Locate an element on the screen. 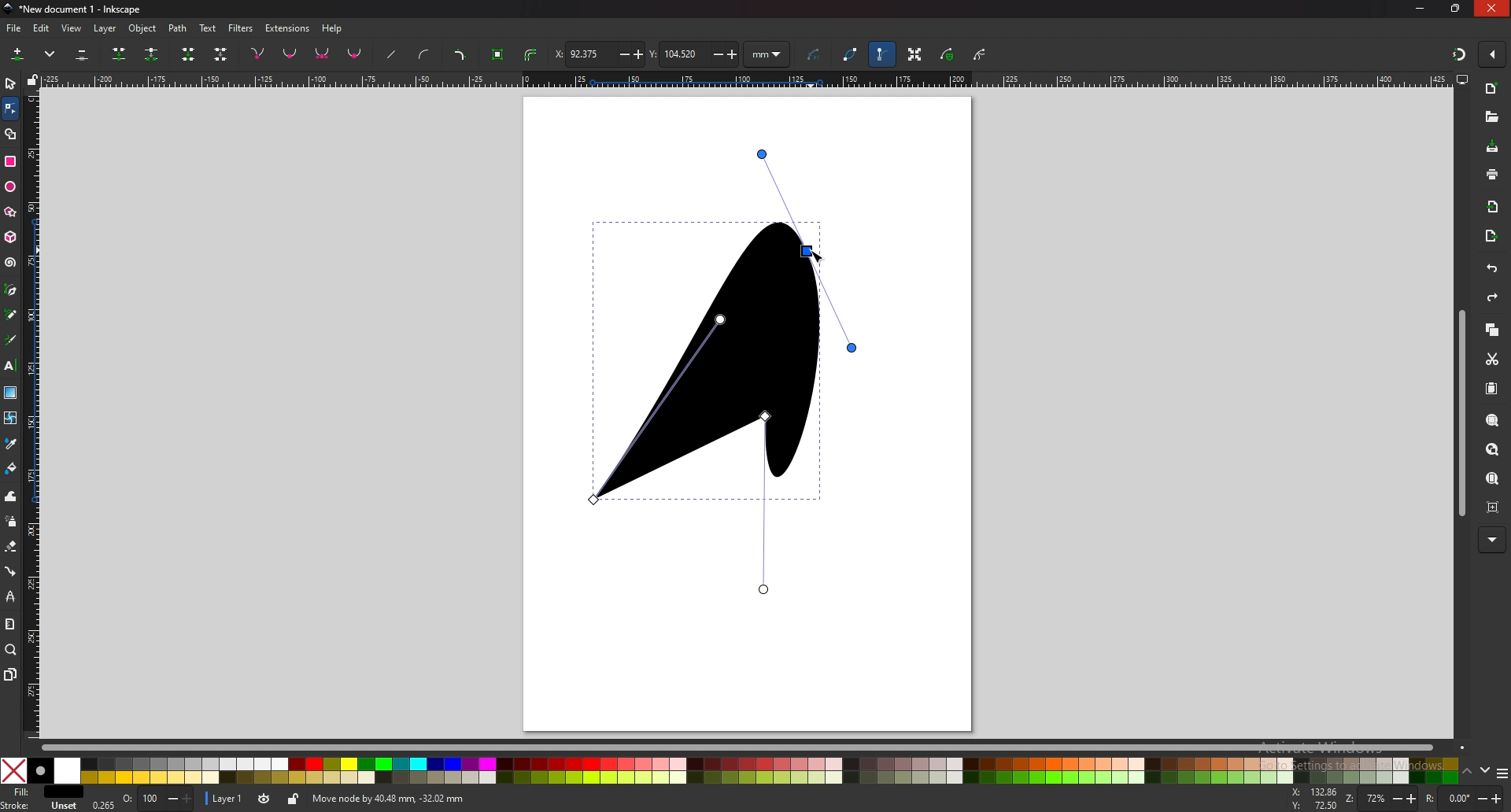  object to path is located at coordinates (500, 55).